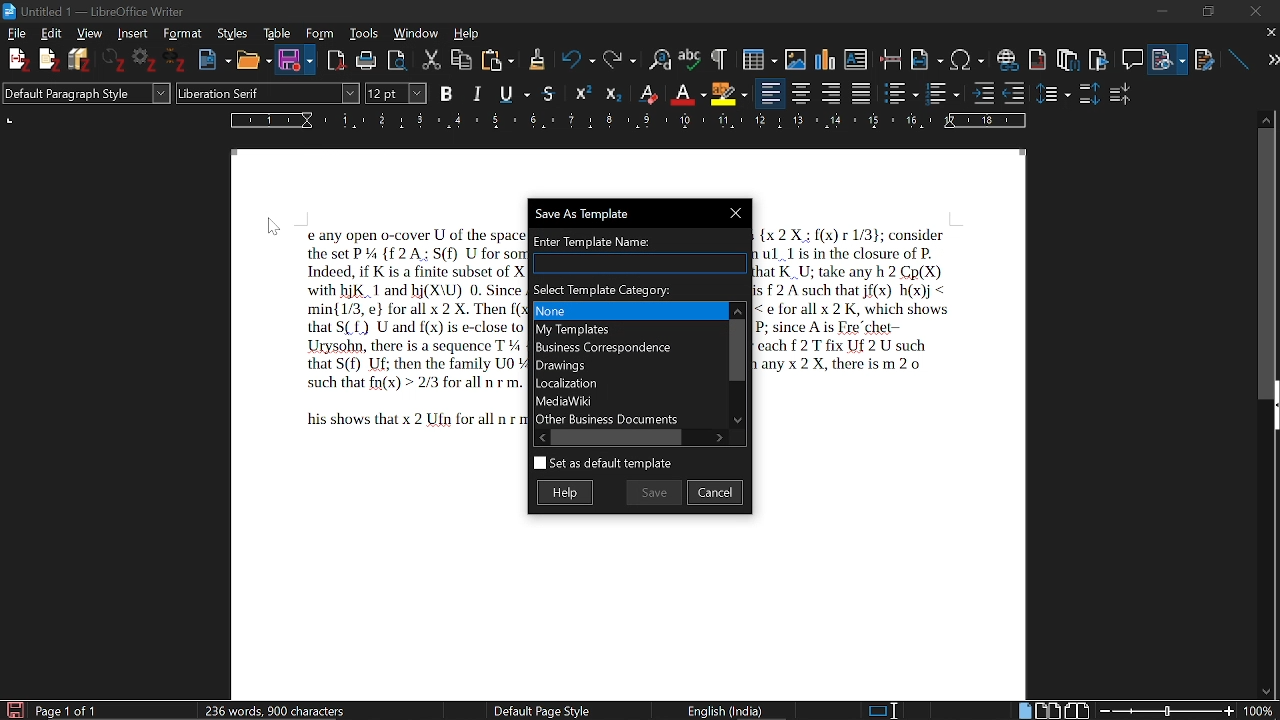 Image resolution: width=1280 pixels, height=720 pixels. I want to click on line, so click(1236, 56).